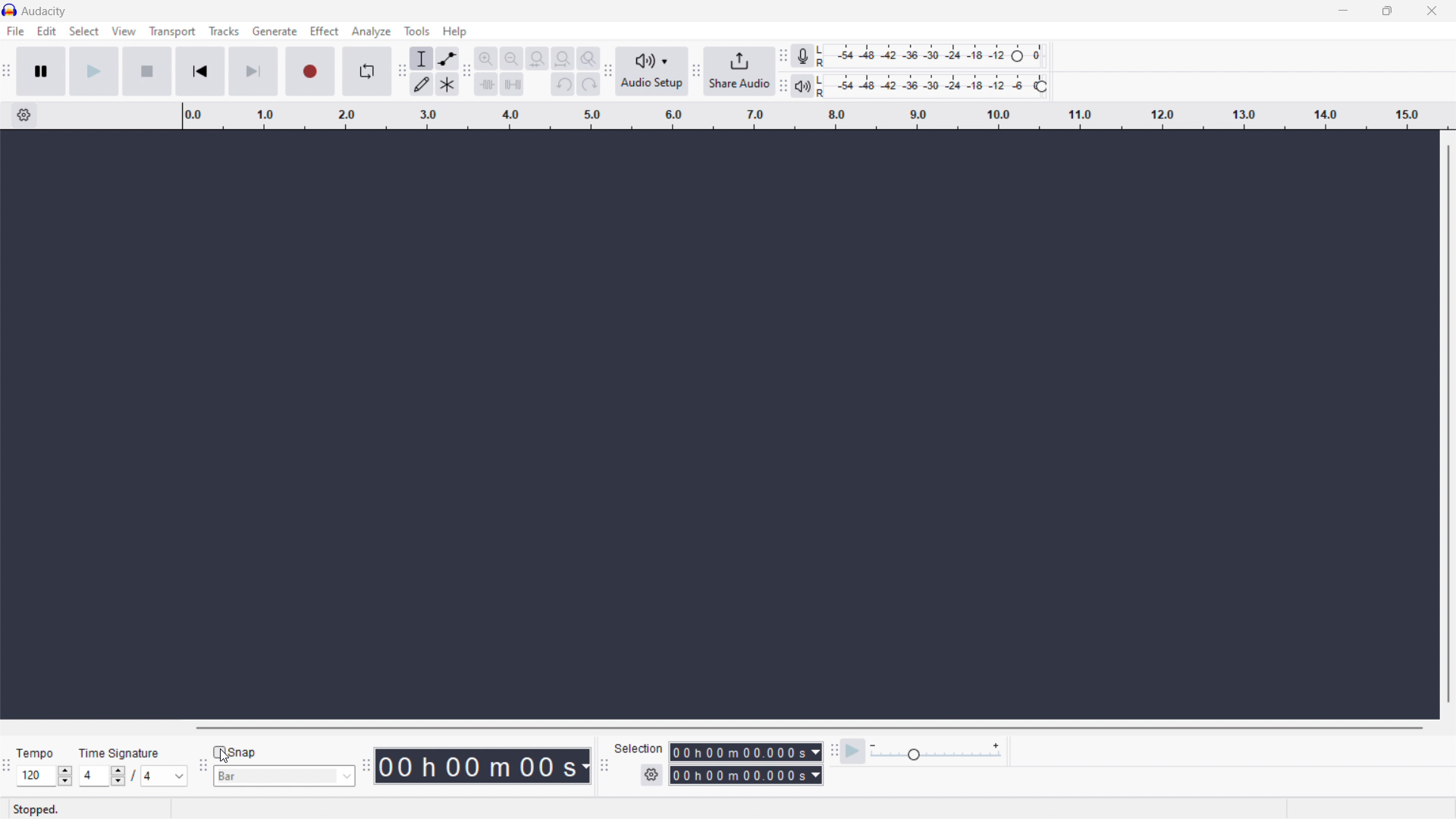 Image resolution: width=1456 pixels, height=819 pixels. Describe the element at coordinates (48, 31) in the screenshot. I see `edit` at that location.